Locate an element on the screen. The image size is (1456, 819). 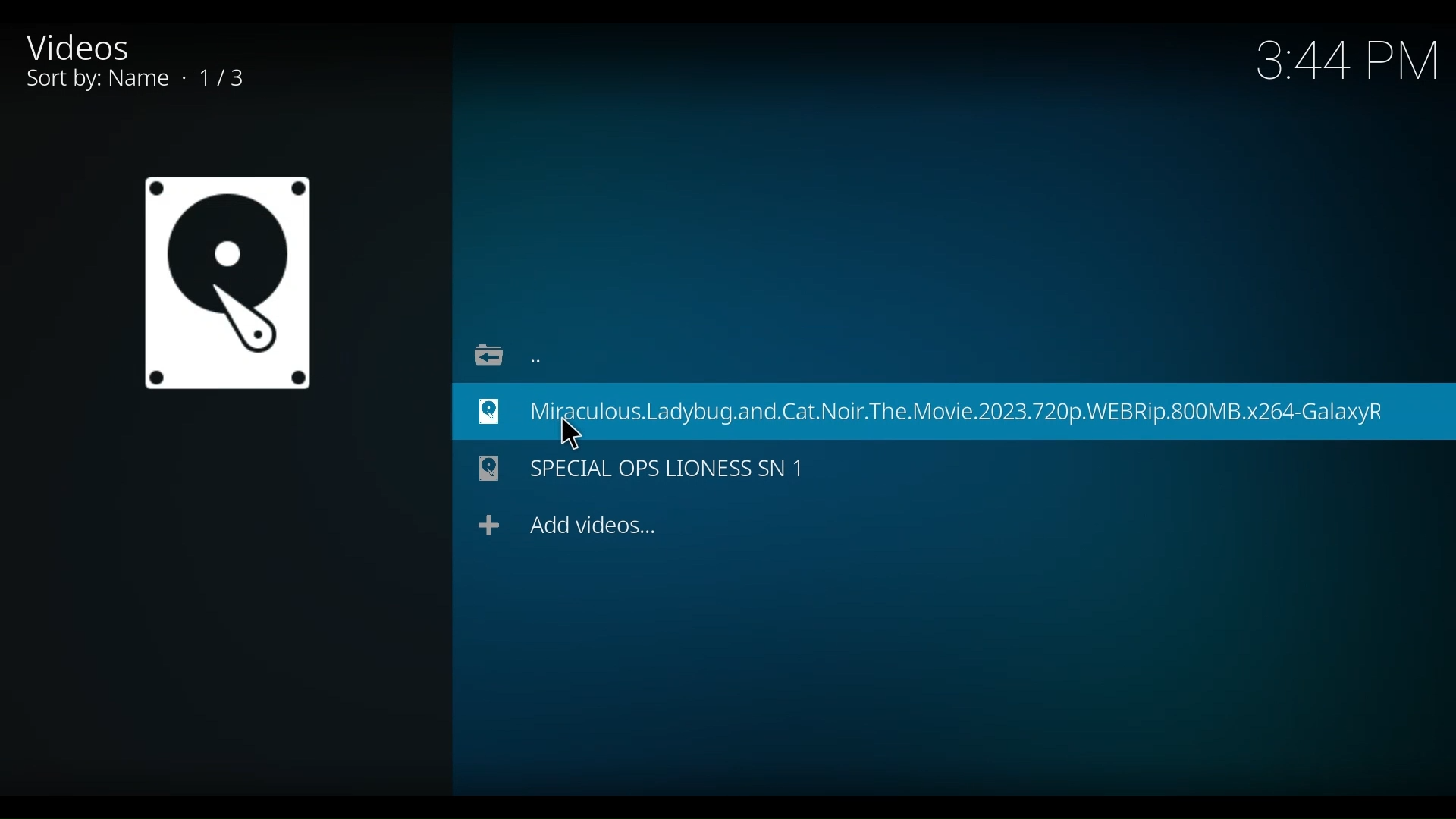
time is located at coordinates (1348, 63).